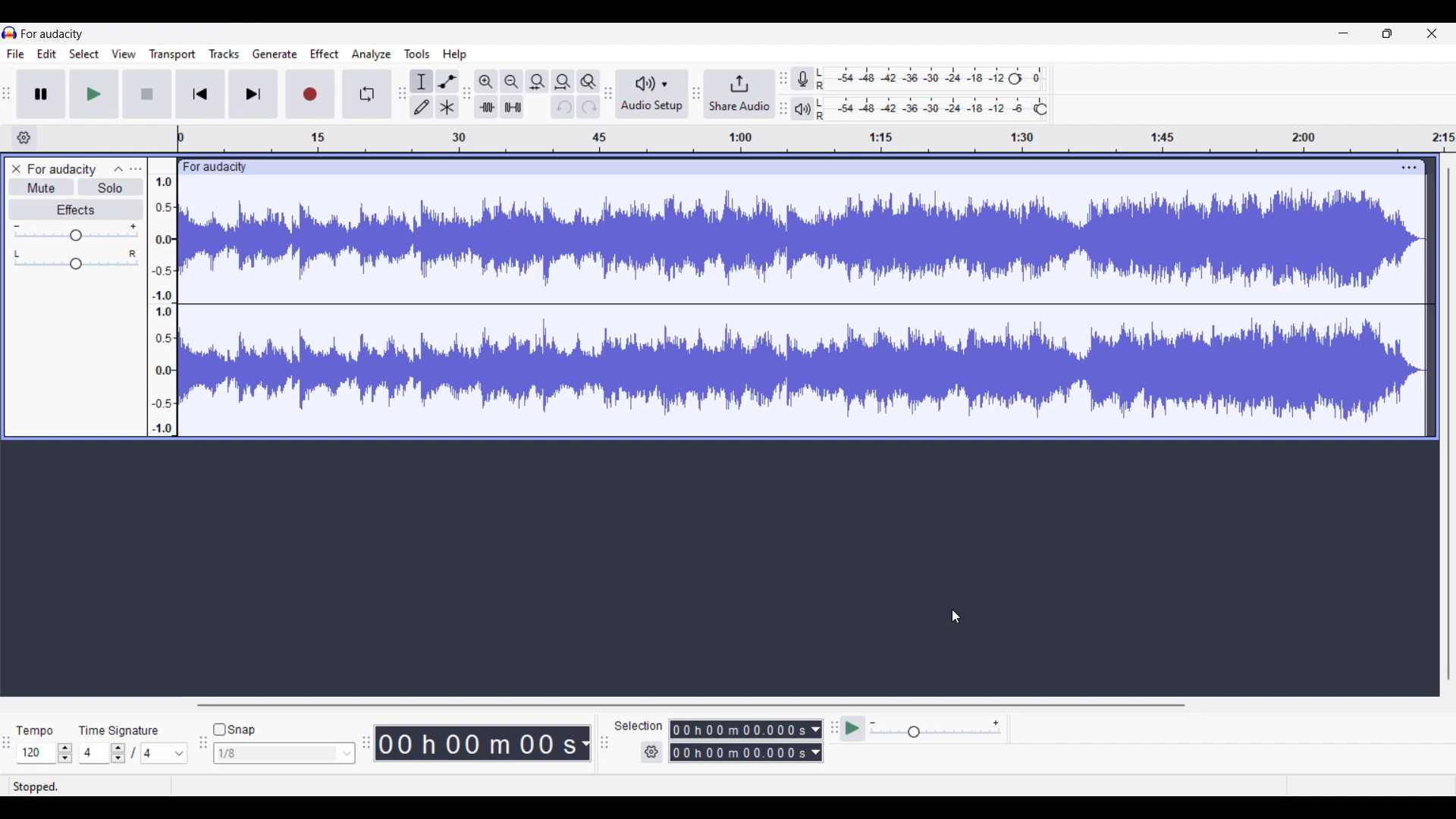 The height and width of the screenshot is (819, 1456). Describe the element at coordinates (124, 54) in the screenshot. I see `View menu` at that location.